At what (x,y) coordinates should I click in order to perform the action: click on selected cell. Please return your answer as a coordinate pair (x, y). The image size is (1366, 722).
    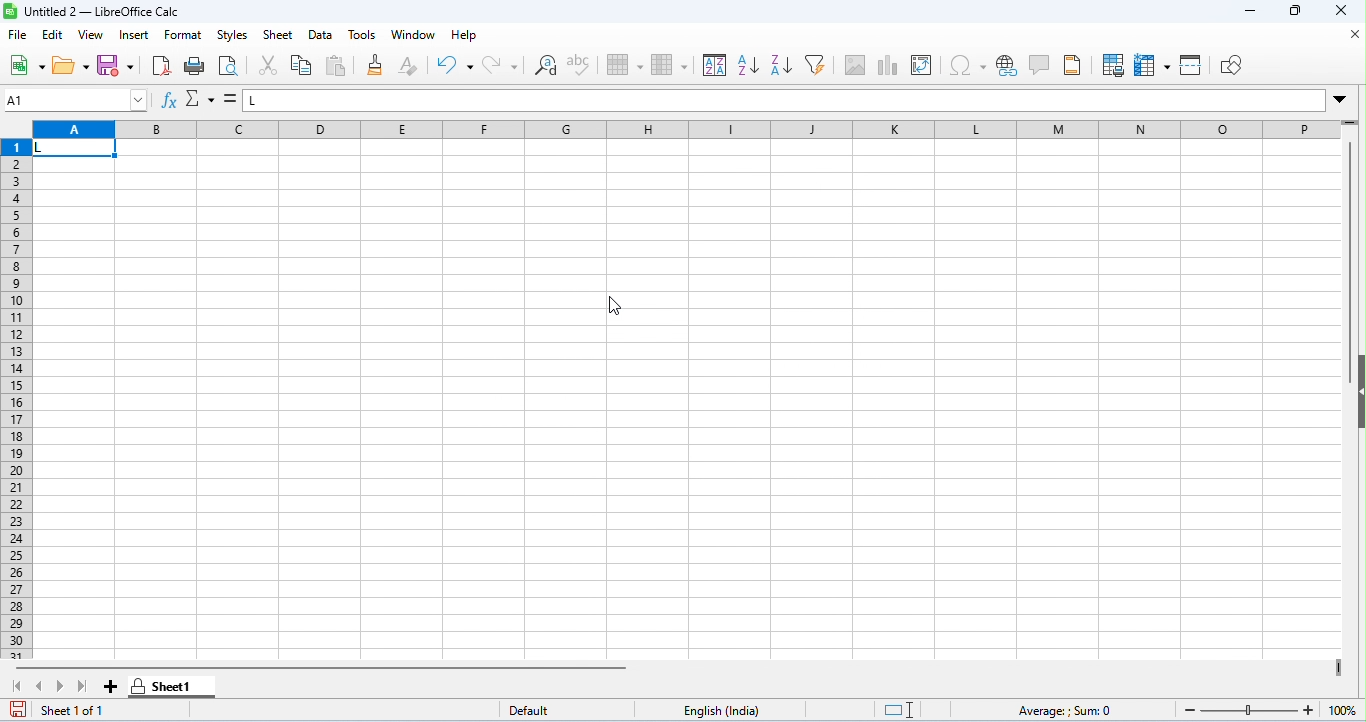
    Looking at the image, I should click on (76, 148).